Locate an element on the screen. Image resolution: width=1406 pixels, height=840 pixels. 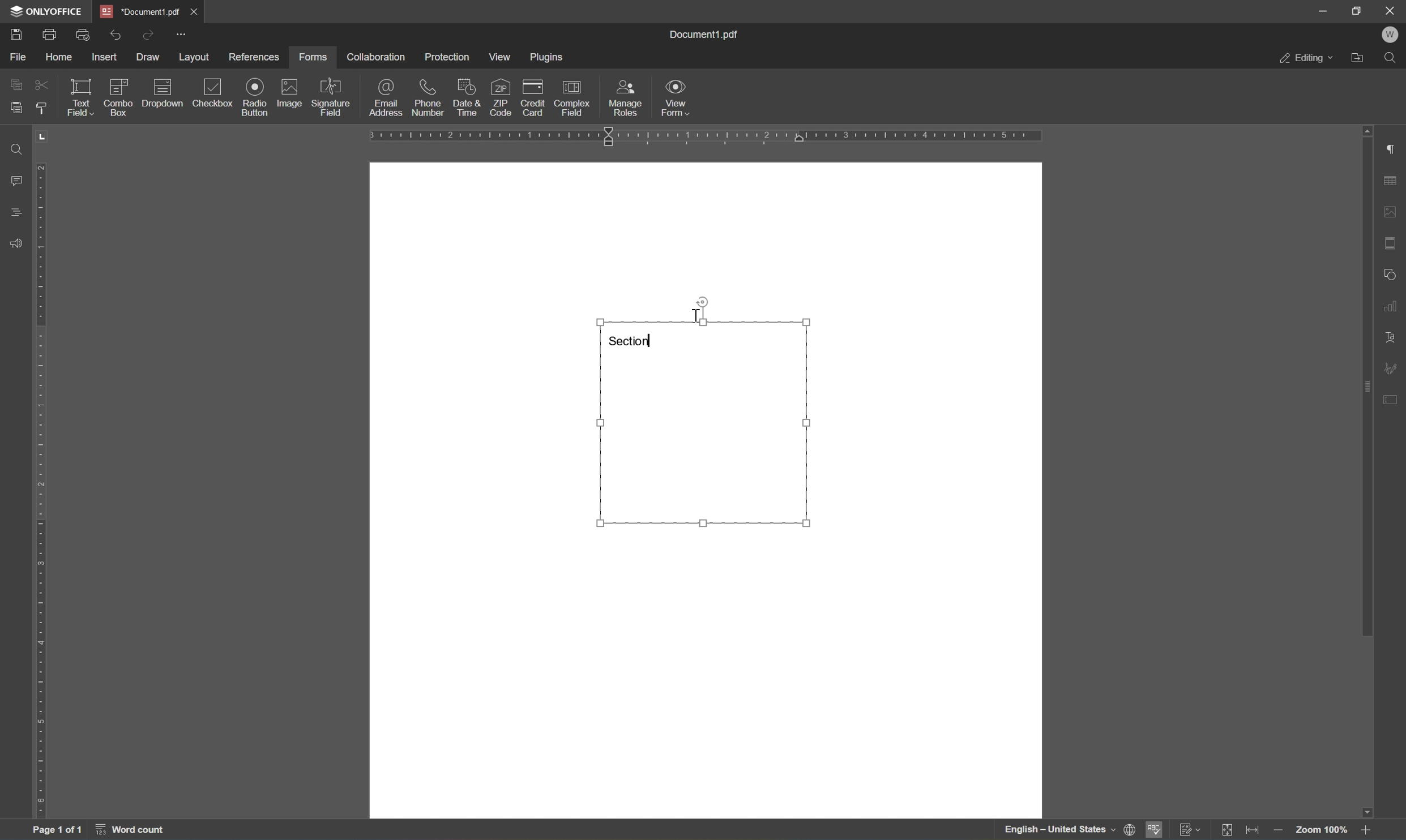
draw is located at coordinates (149, 57).